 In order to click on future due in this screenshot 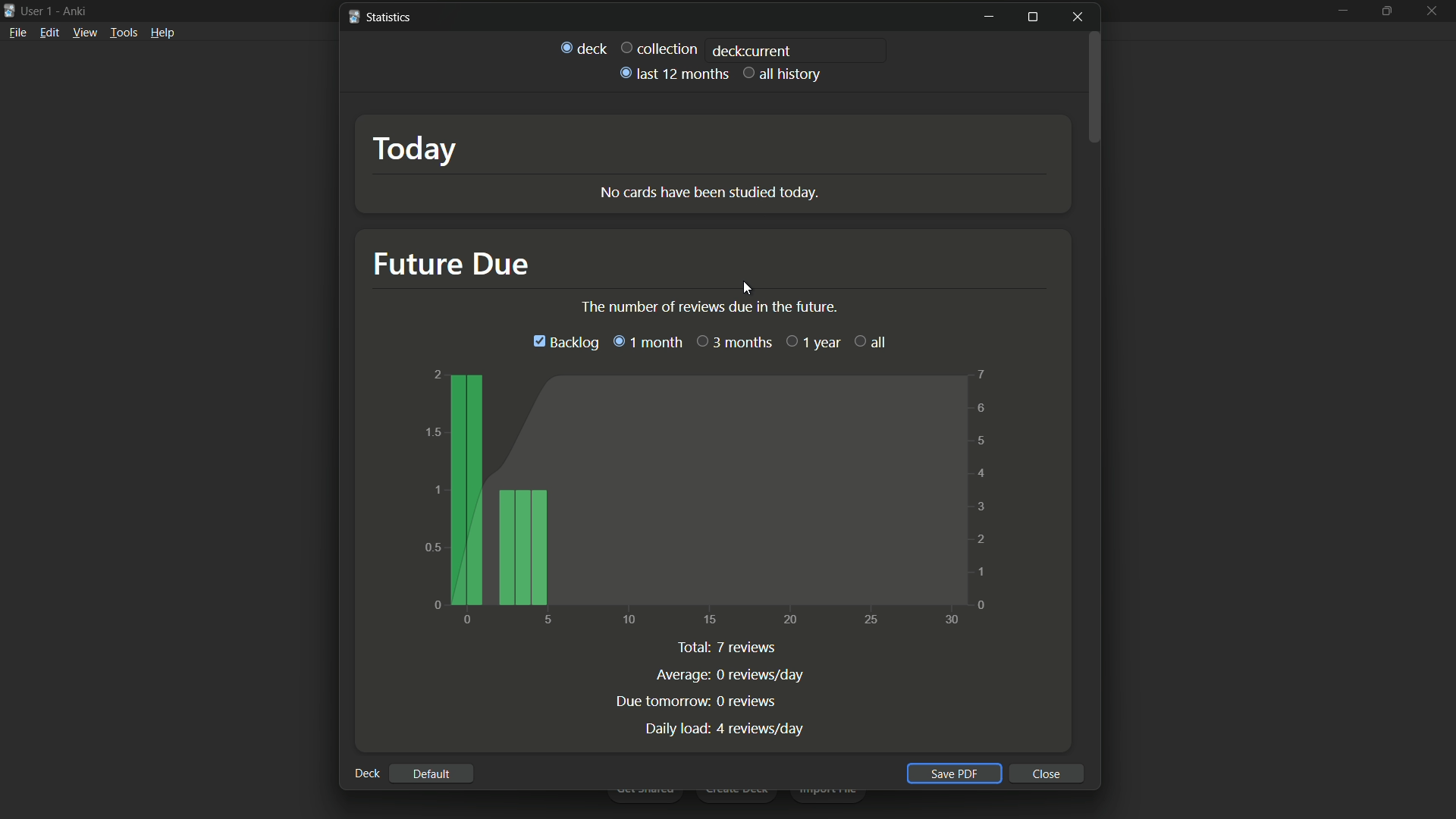, I will do `click(449, 264)`.